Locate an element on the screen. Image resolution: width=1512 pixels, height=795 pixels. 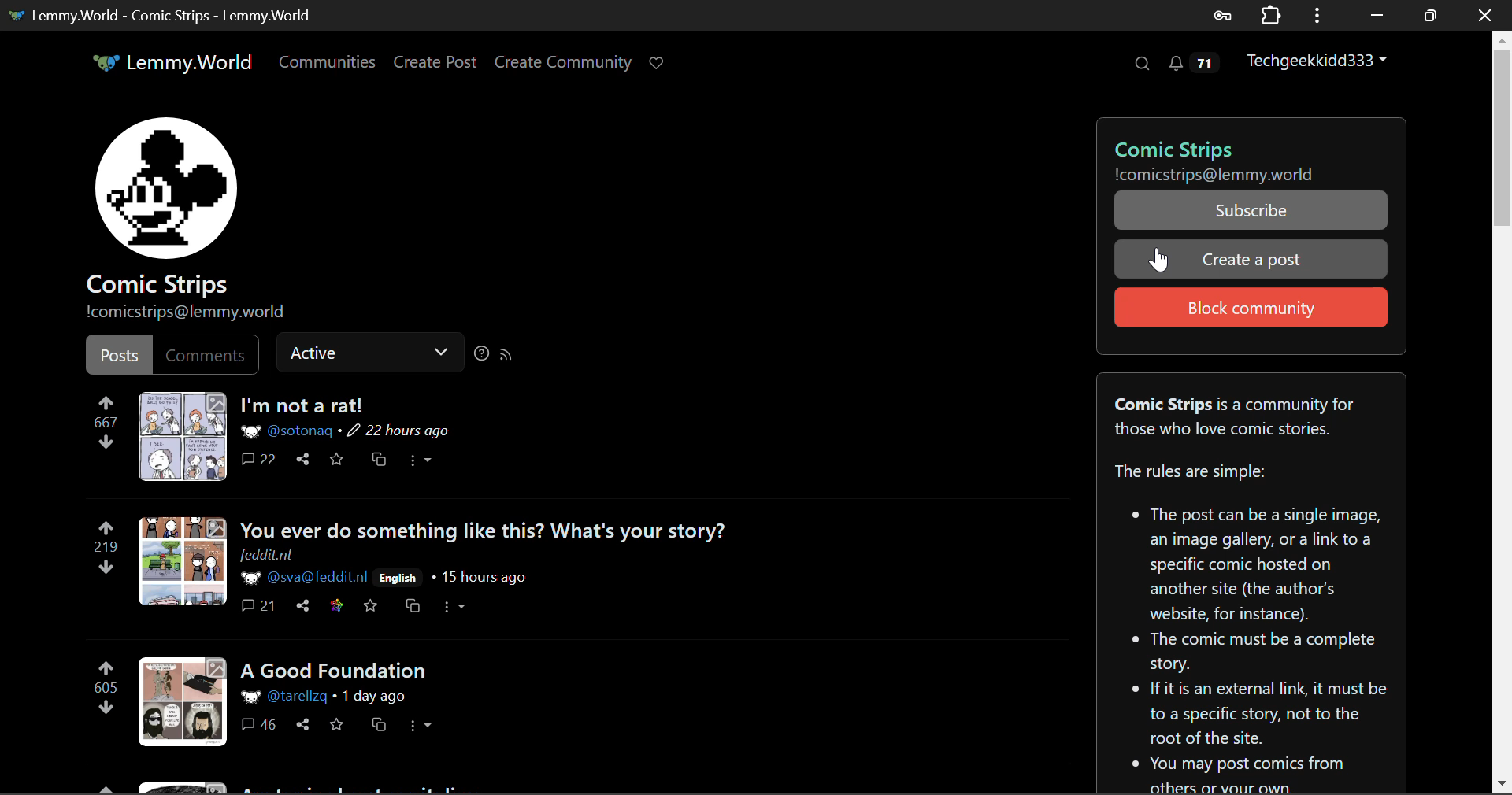
Comic Strips is located at coordinates (188, 283).